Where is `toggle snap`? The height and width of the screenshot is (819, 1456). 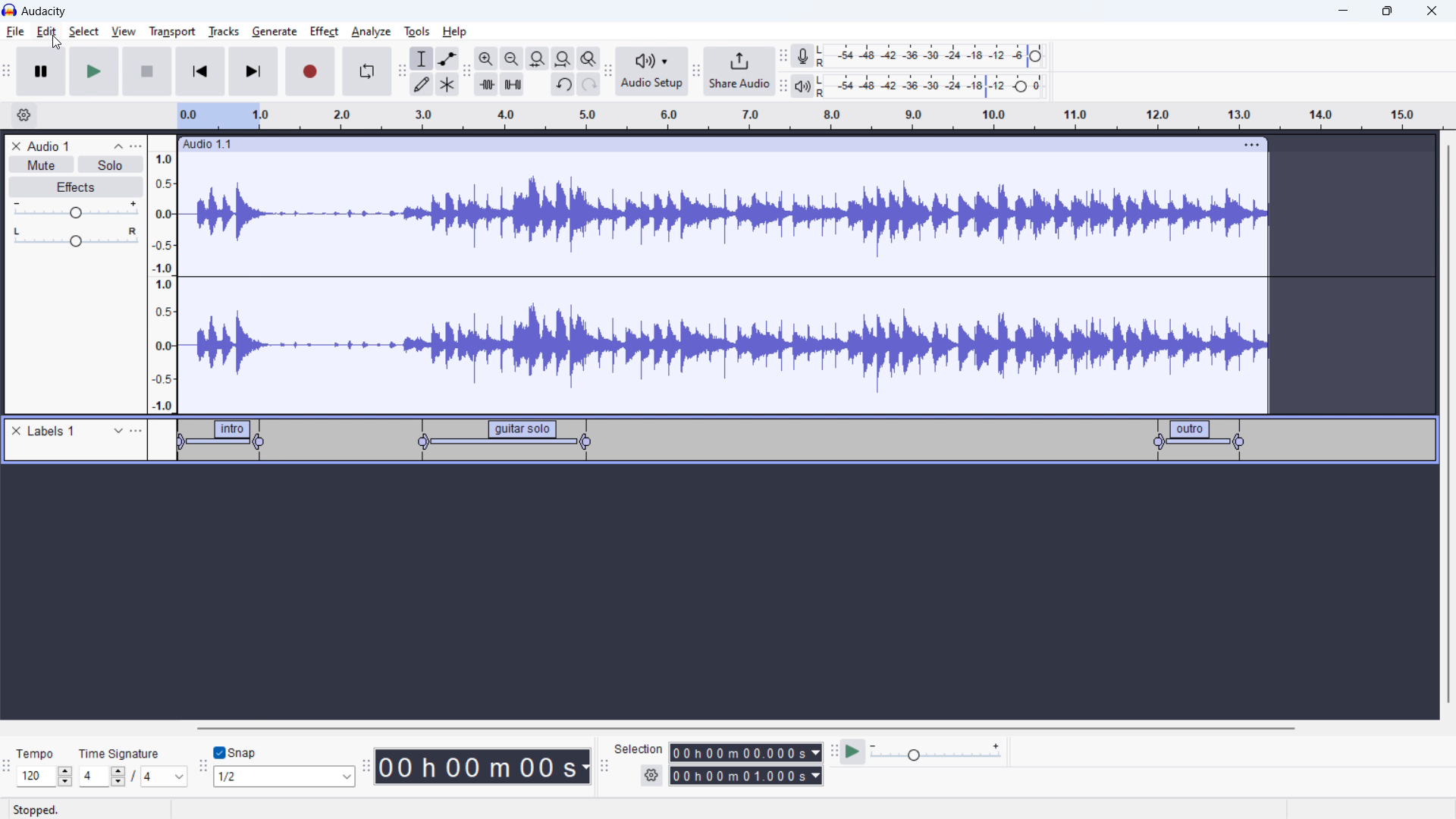 toggle snap is located at coordinates (236, 753).